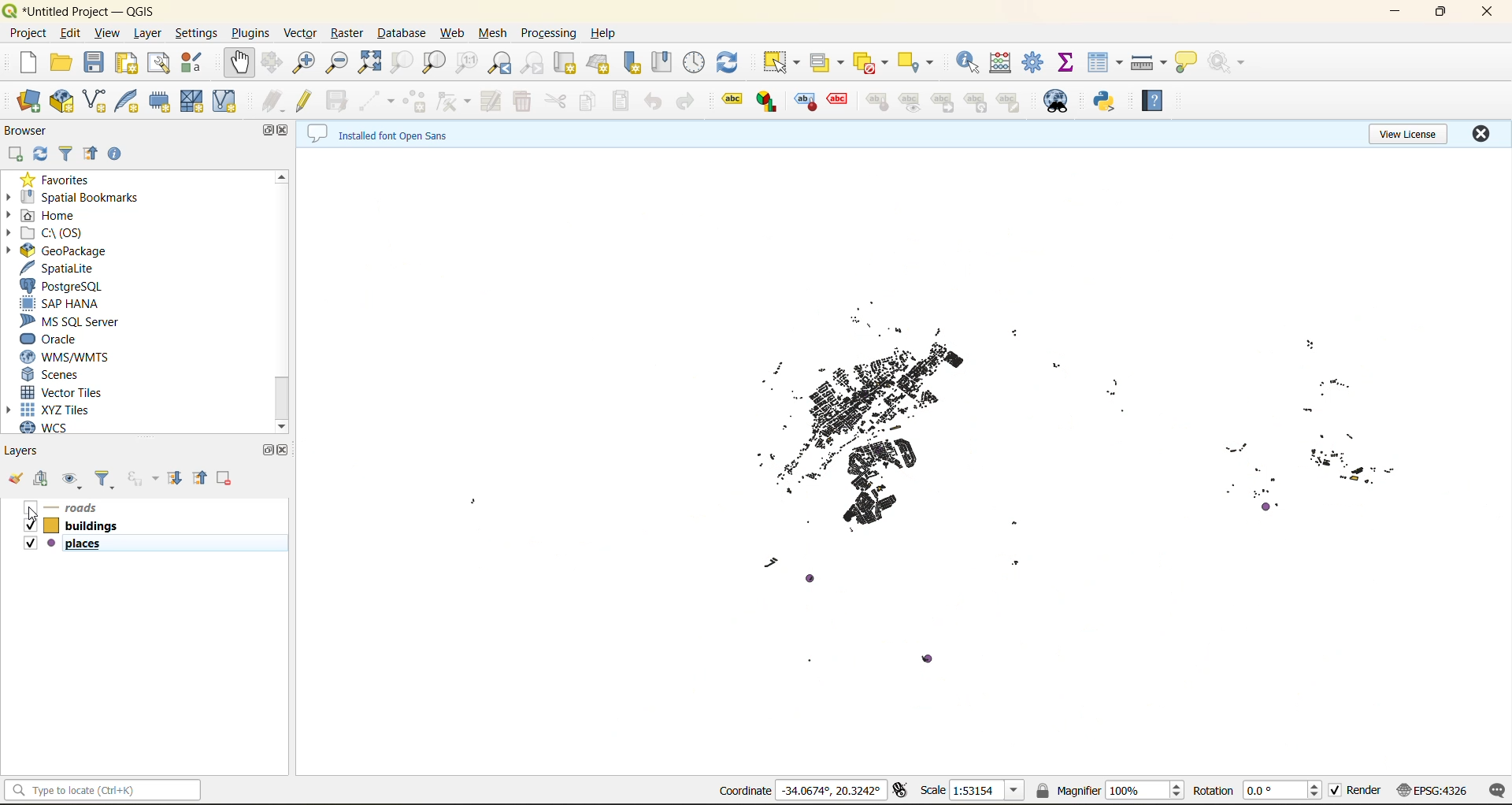 Image resolution: width=1512 pixels, height=805 pixels. I want to click on close, so click(282, 132).